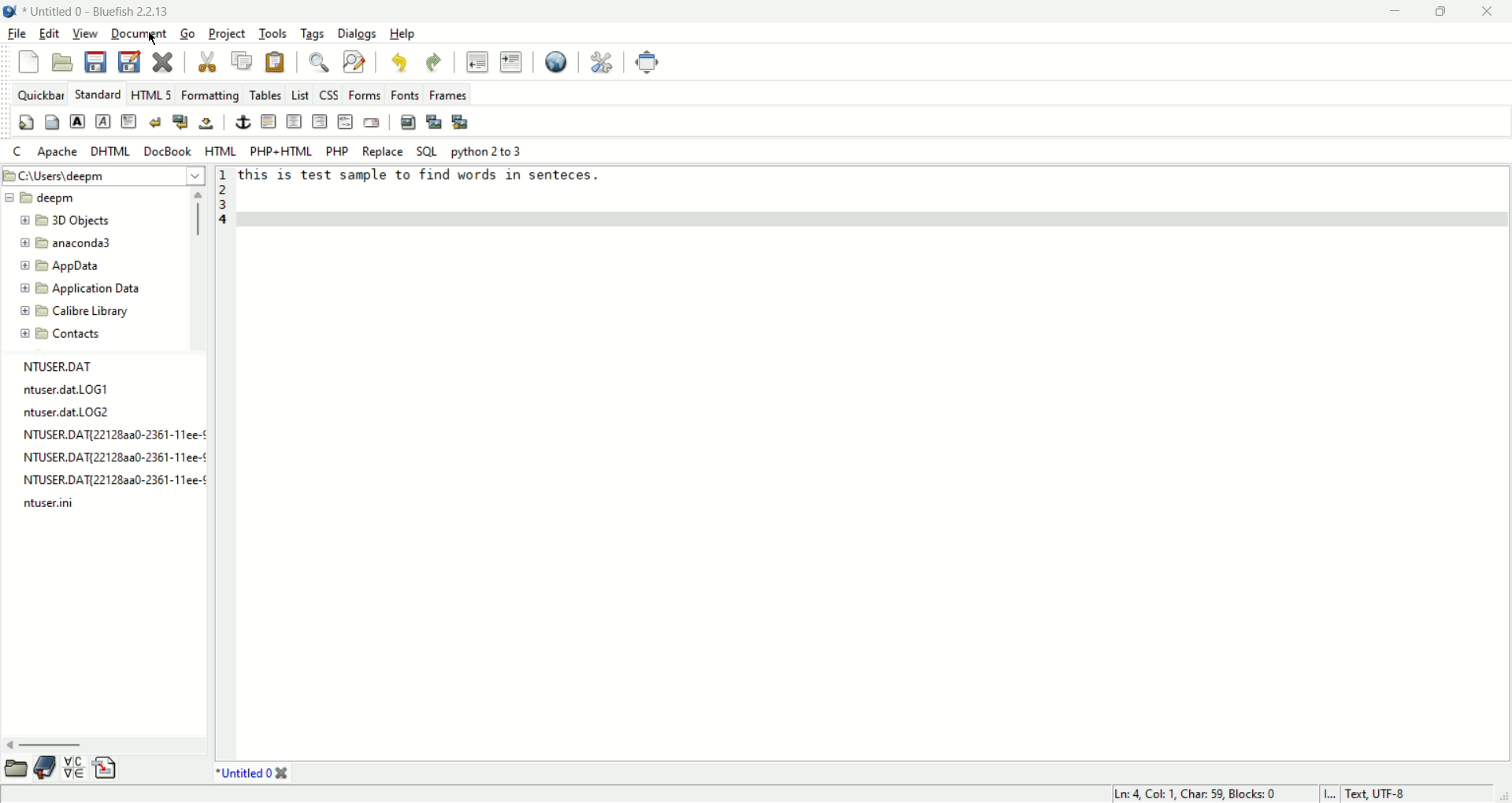 Image resolution: width=1512 pixels, height=803 pixels. What do you see at coordinates (404, 94) in the screenshot?
I see `fonts` at bounding box center [404, 94].